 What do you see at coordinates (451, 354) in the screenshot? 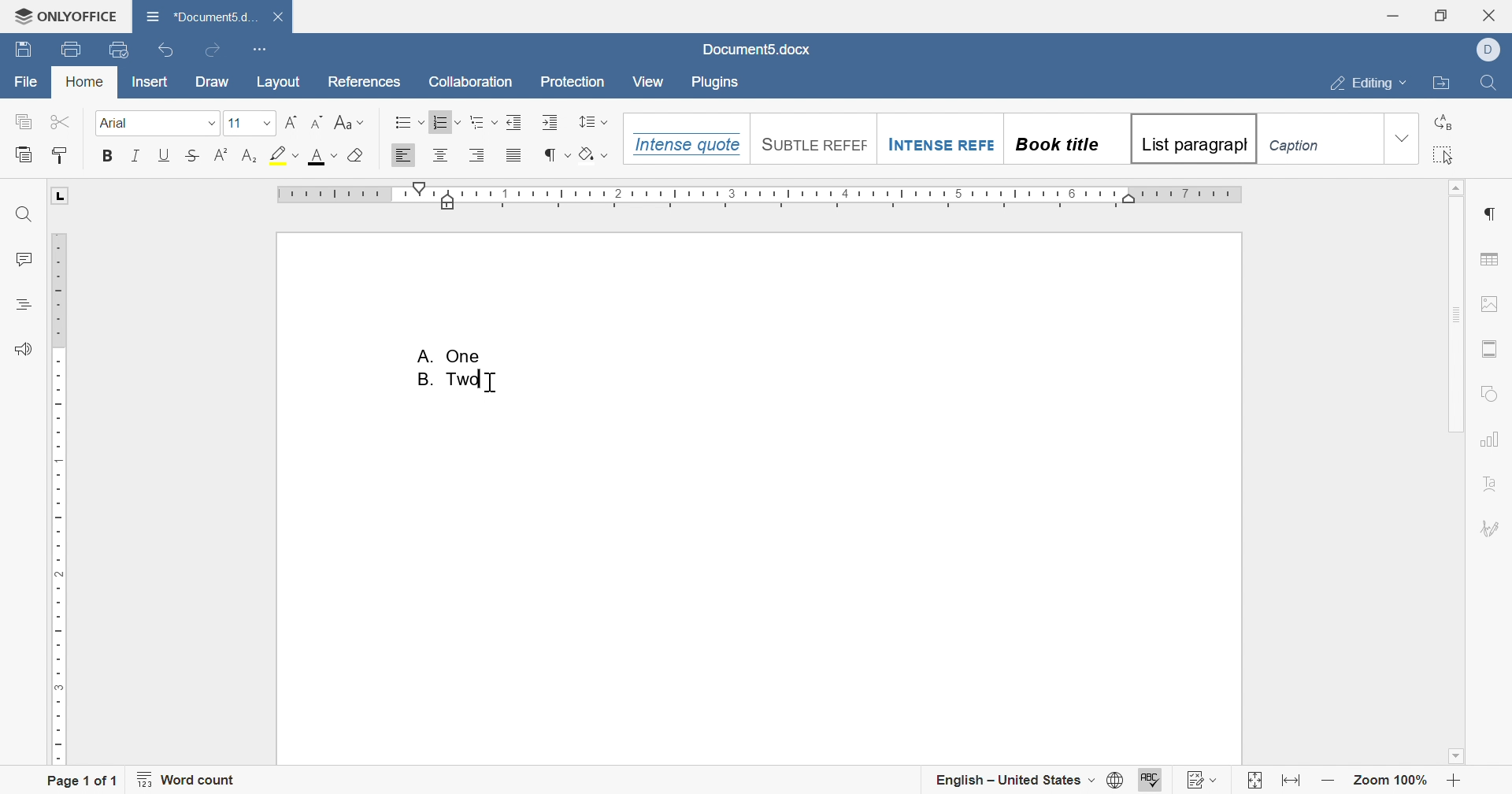
I see `A. One` at bounding box center [451, 354].